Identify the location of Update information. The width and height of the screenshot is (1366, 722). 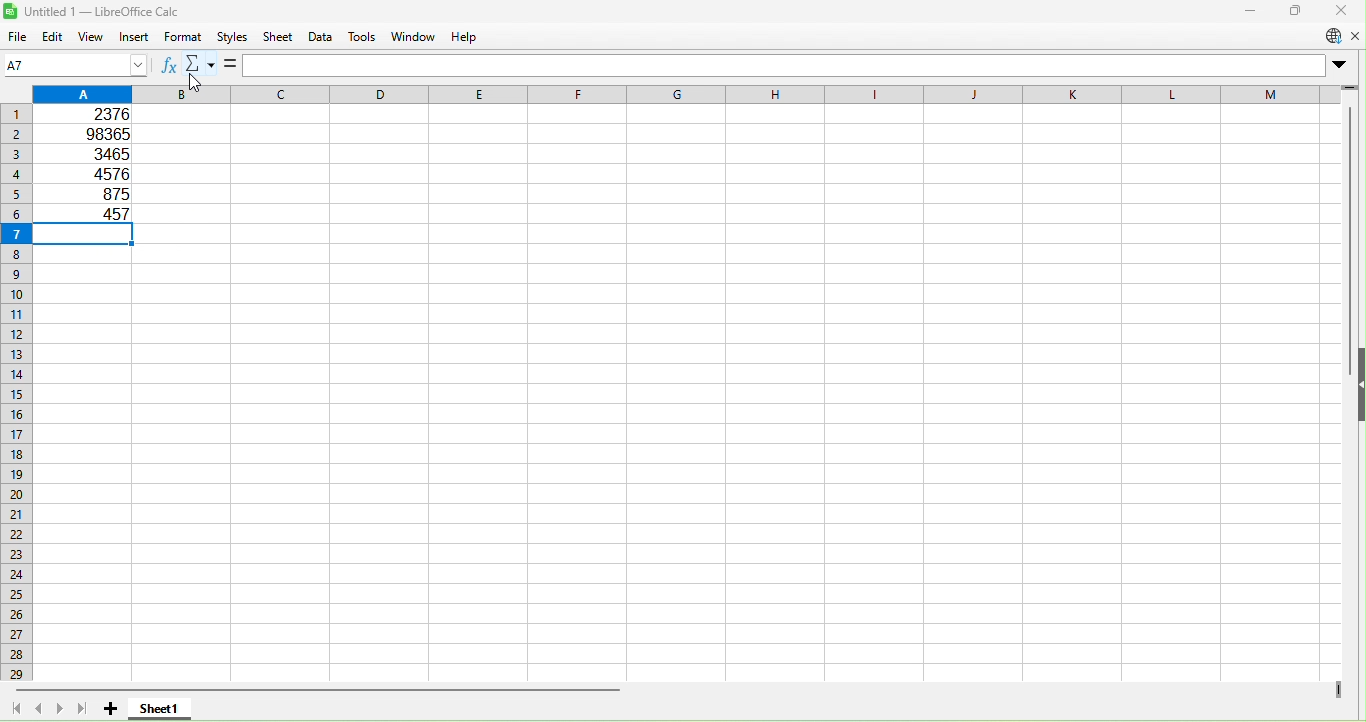
(1332, 37).